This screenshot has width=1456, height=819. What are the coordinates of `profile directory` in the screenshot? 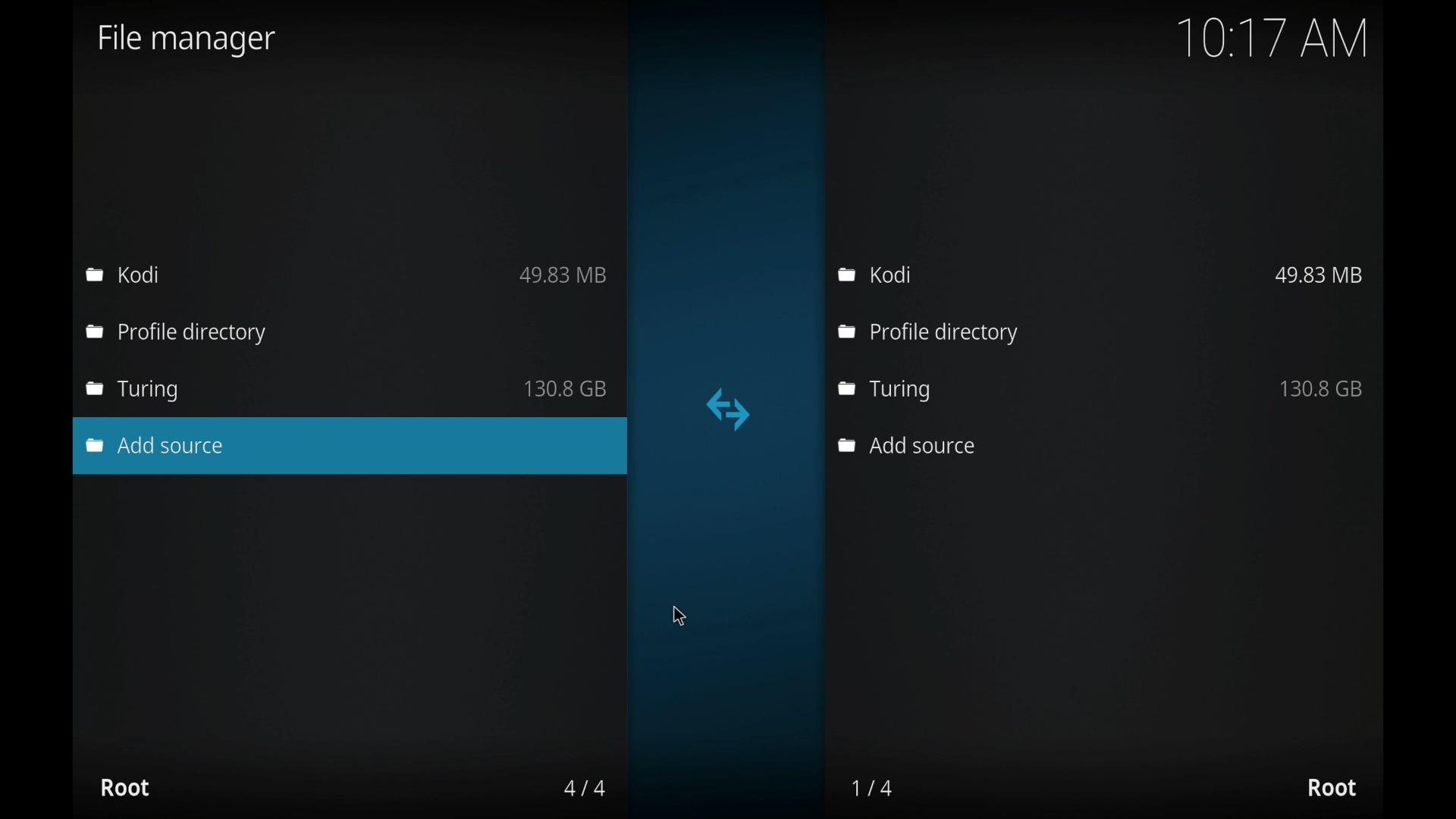 It's located at (179, 334).